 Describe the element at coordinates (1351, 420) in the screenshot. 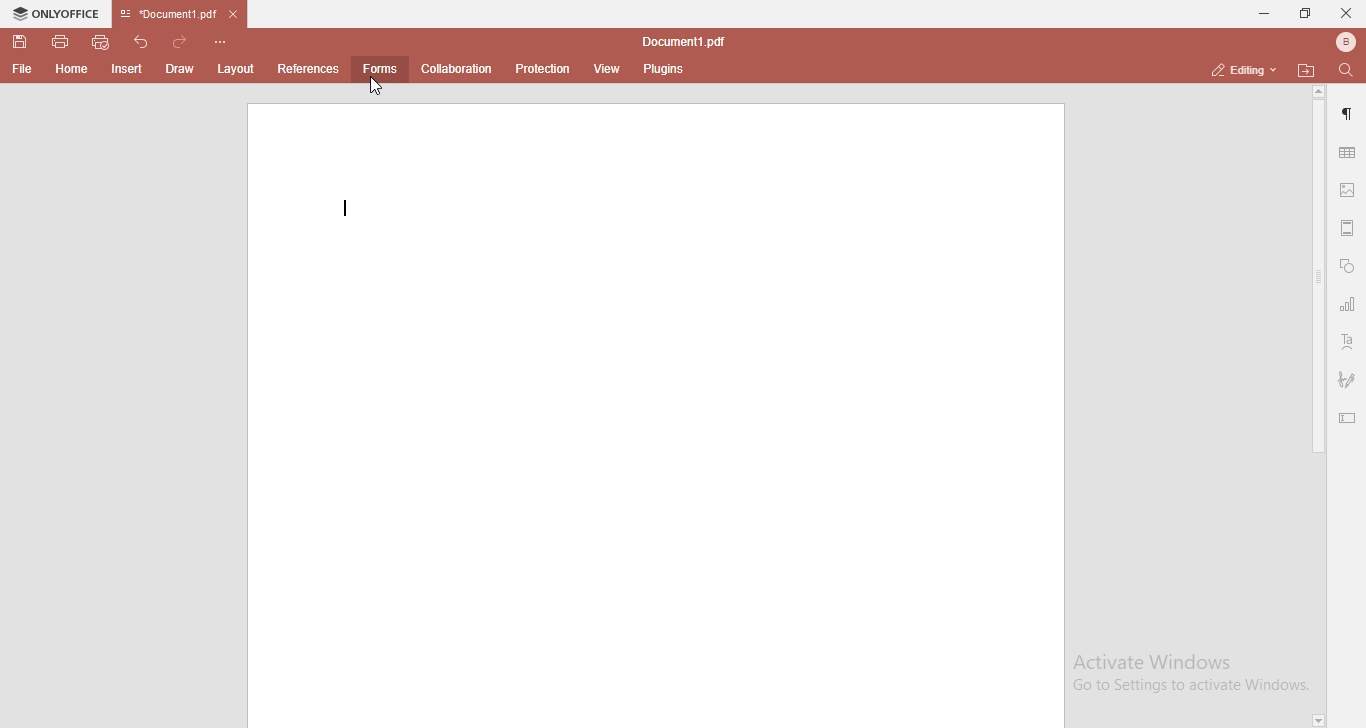

I see `edit text` at that location.